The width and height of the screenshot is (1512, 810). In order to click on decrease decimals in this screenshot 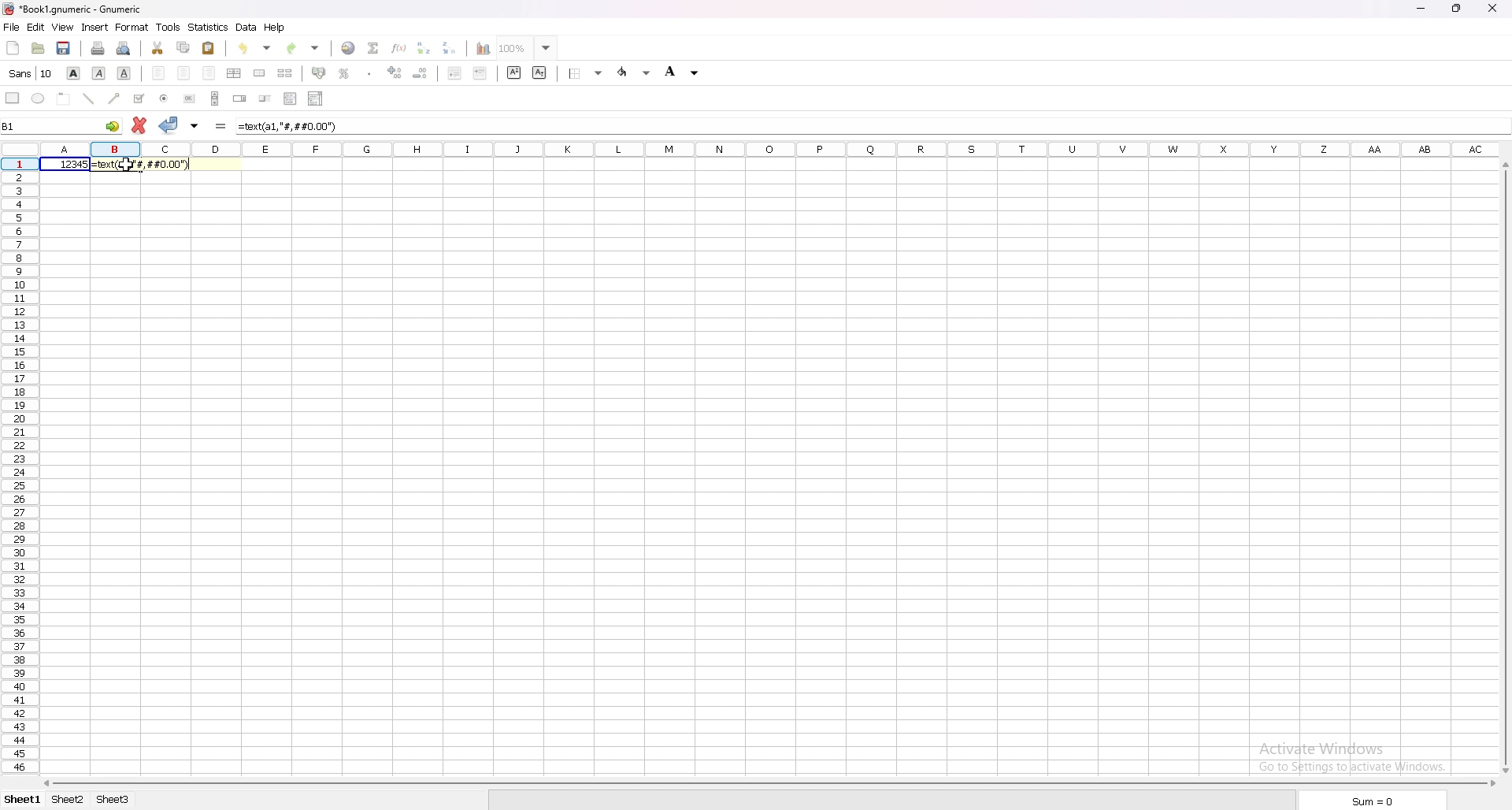, I will do `click(421, 73)`.